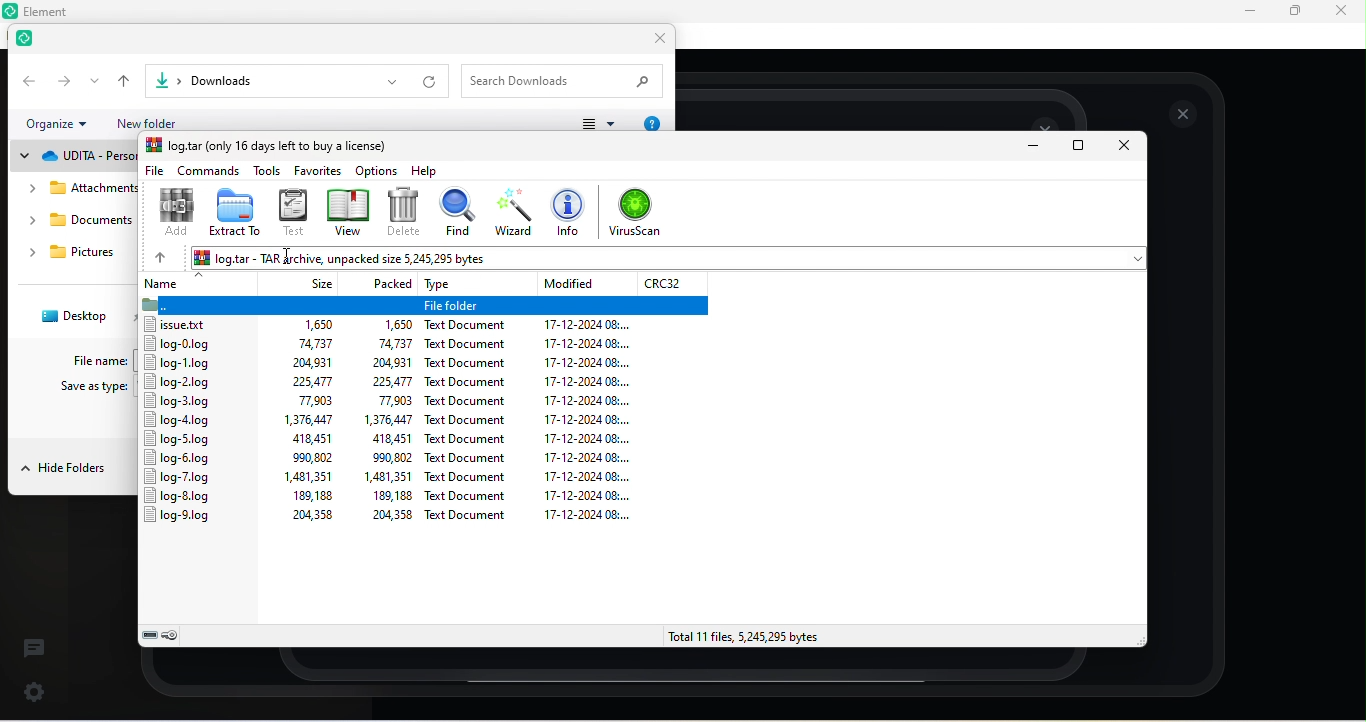  I want to click on 74,737, so click(313, 343).